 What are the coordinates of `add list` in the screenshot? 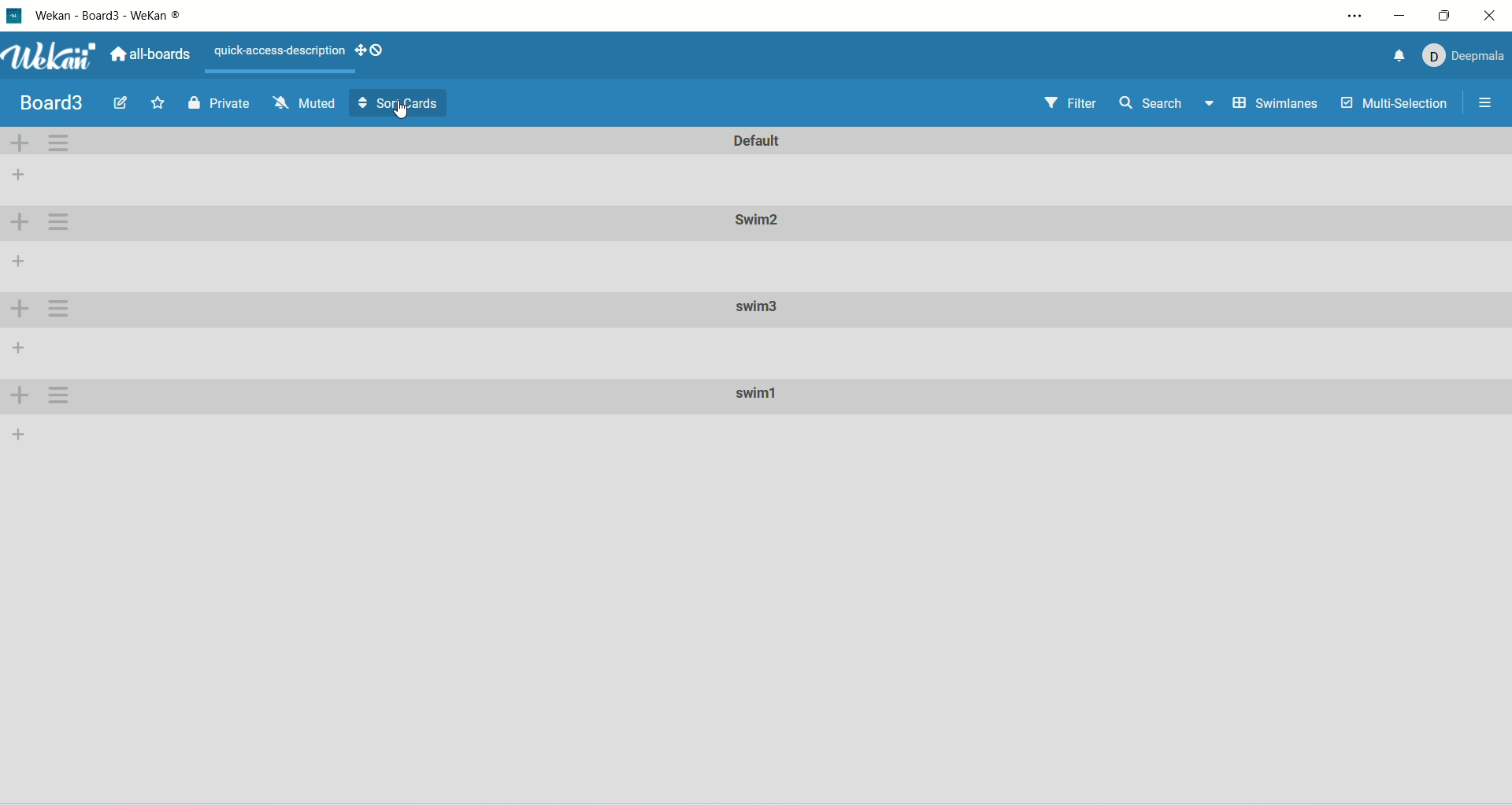 It's located at (20, 172).